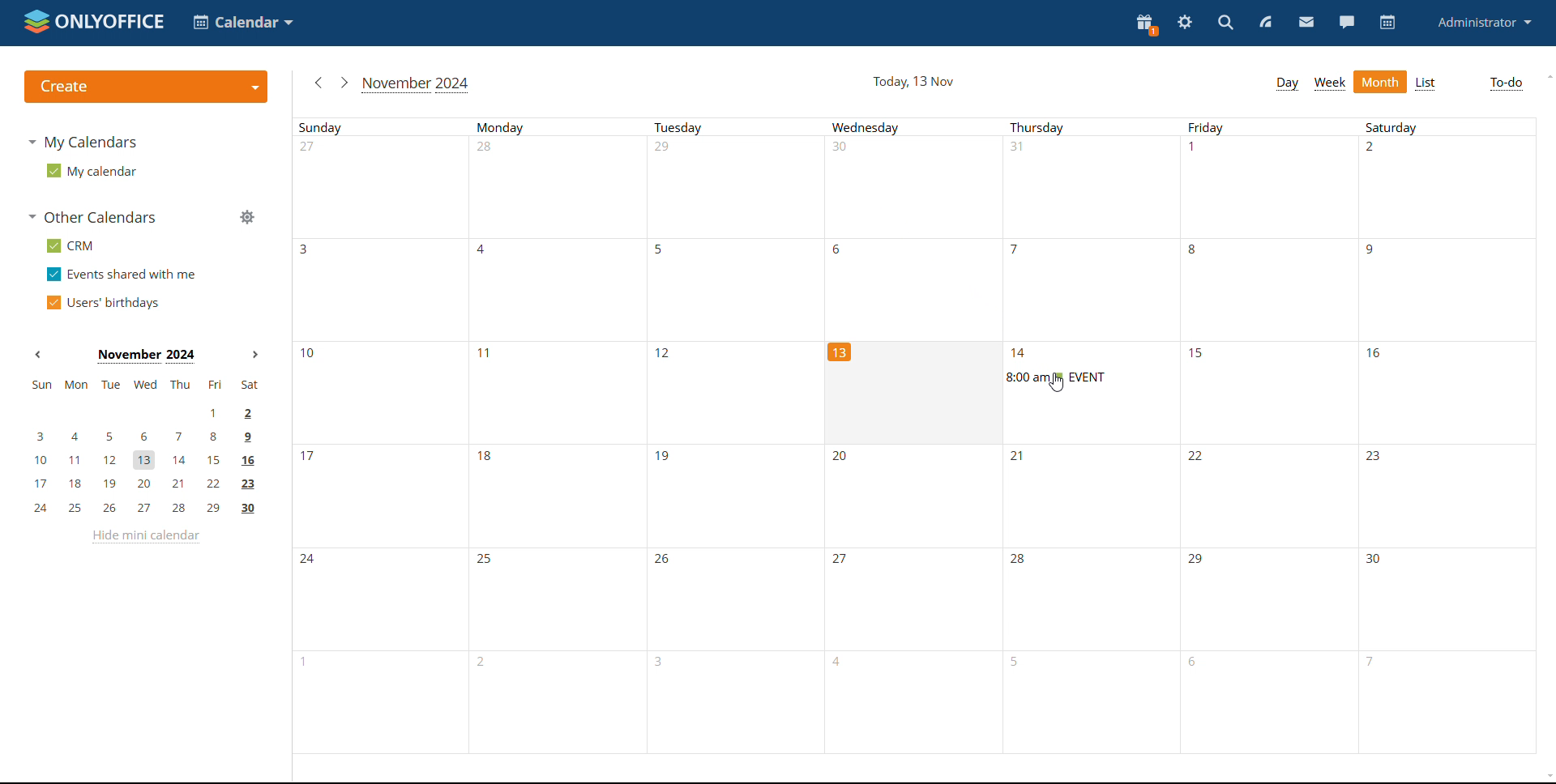 The height and width of the screenshot is (784, 1556). Describe the element at coordinates (903, 718) in the screenshot. I see `Dates of the month` at that location.